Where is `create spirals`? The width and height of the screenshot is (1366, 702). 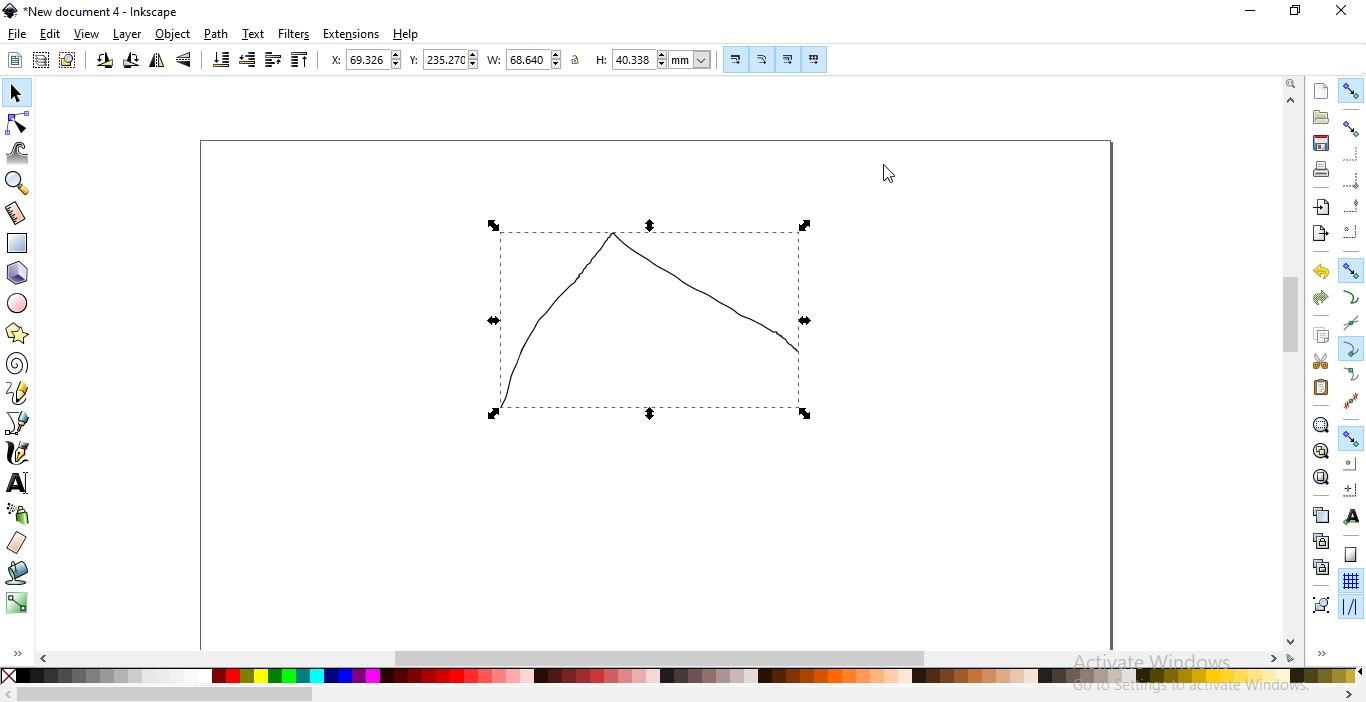 create spirals is located at coordinates (16, 364).